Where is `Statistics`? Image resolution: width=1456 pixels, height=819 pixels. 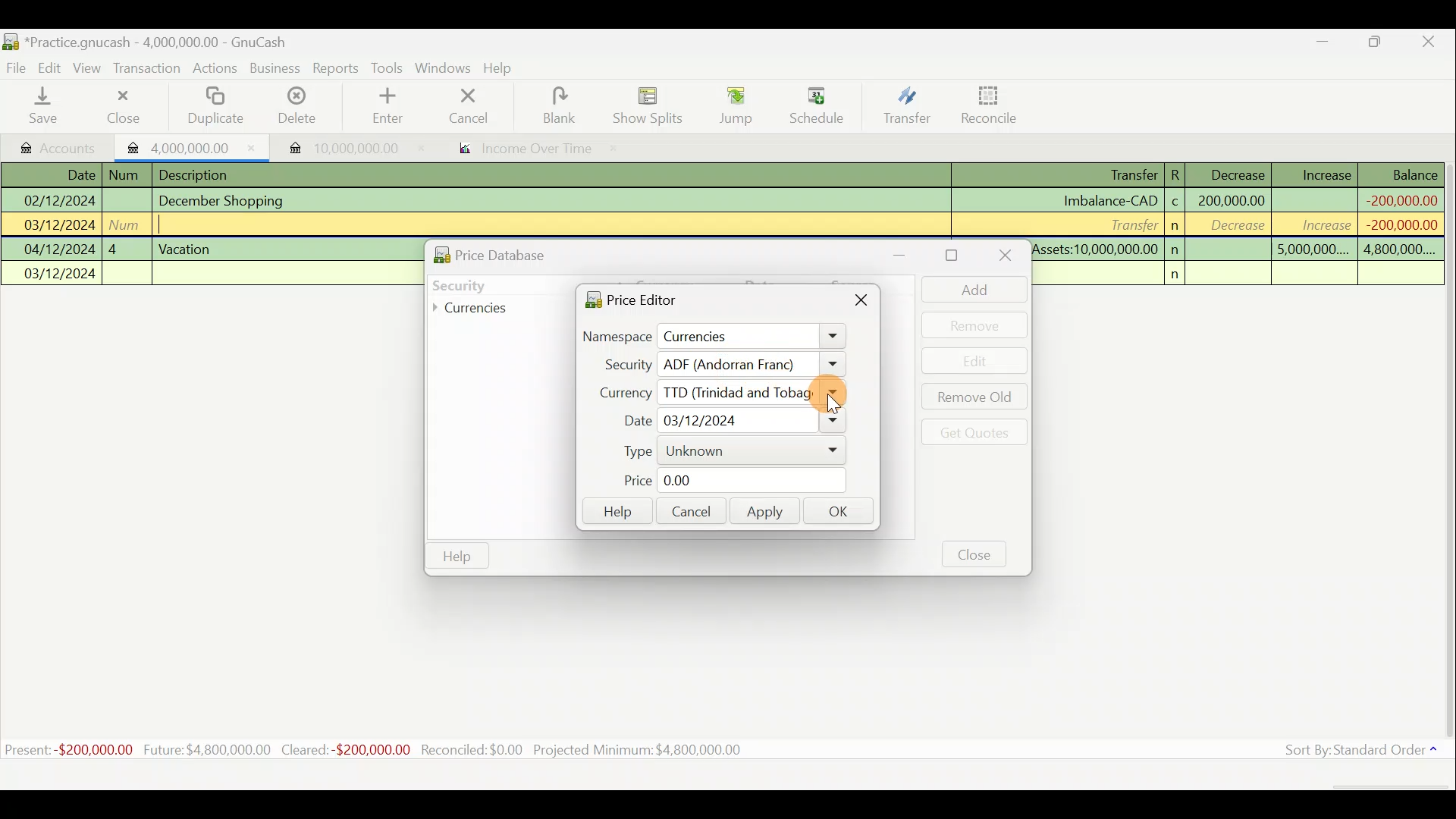 Statistics is located at coordinates (399, 750).